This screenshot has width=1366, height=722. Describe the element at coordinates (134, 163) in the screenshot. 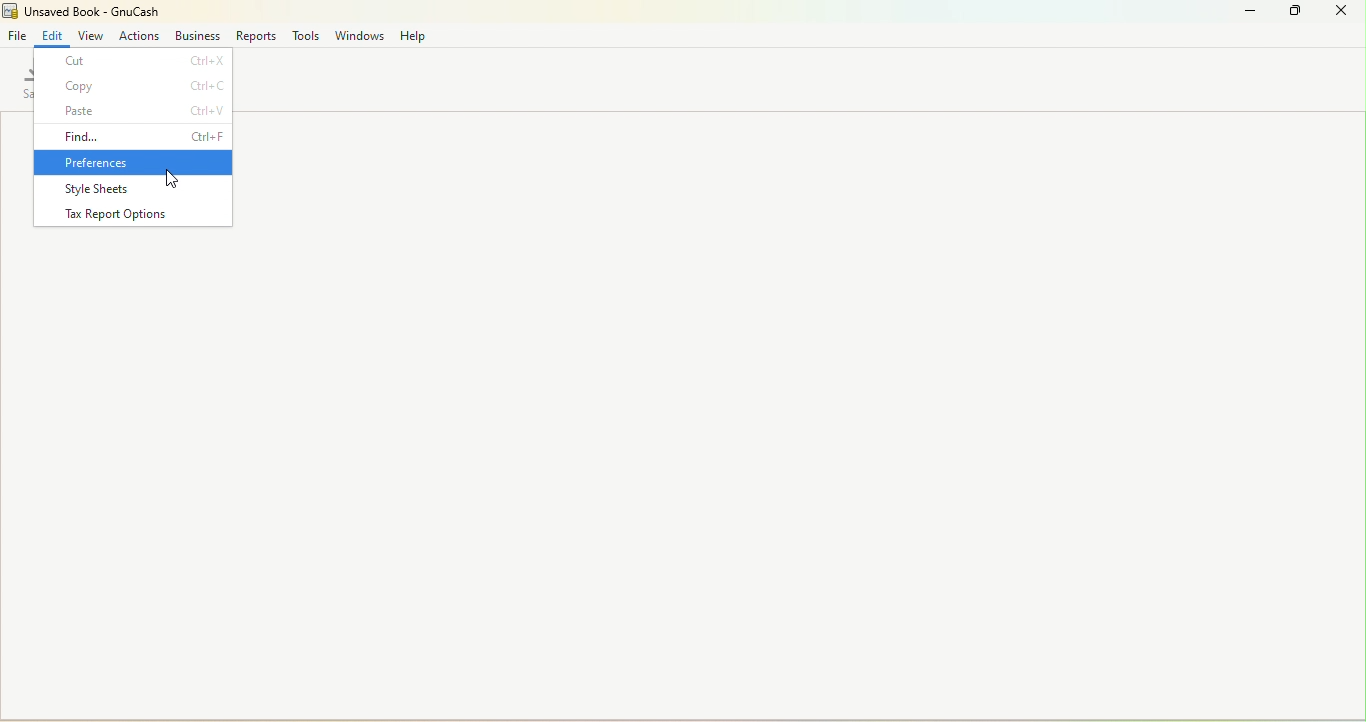

I see `Preferences` at that location.